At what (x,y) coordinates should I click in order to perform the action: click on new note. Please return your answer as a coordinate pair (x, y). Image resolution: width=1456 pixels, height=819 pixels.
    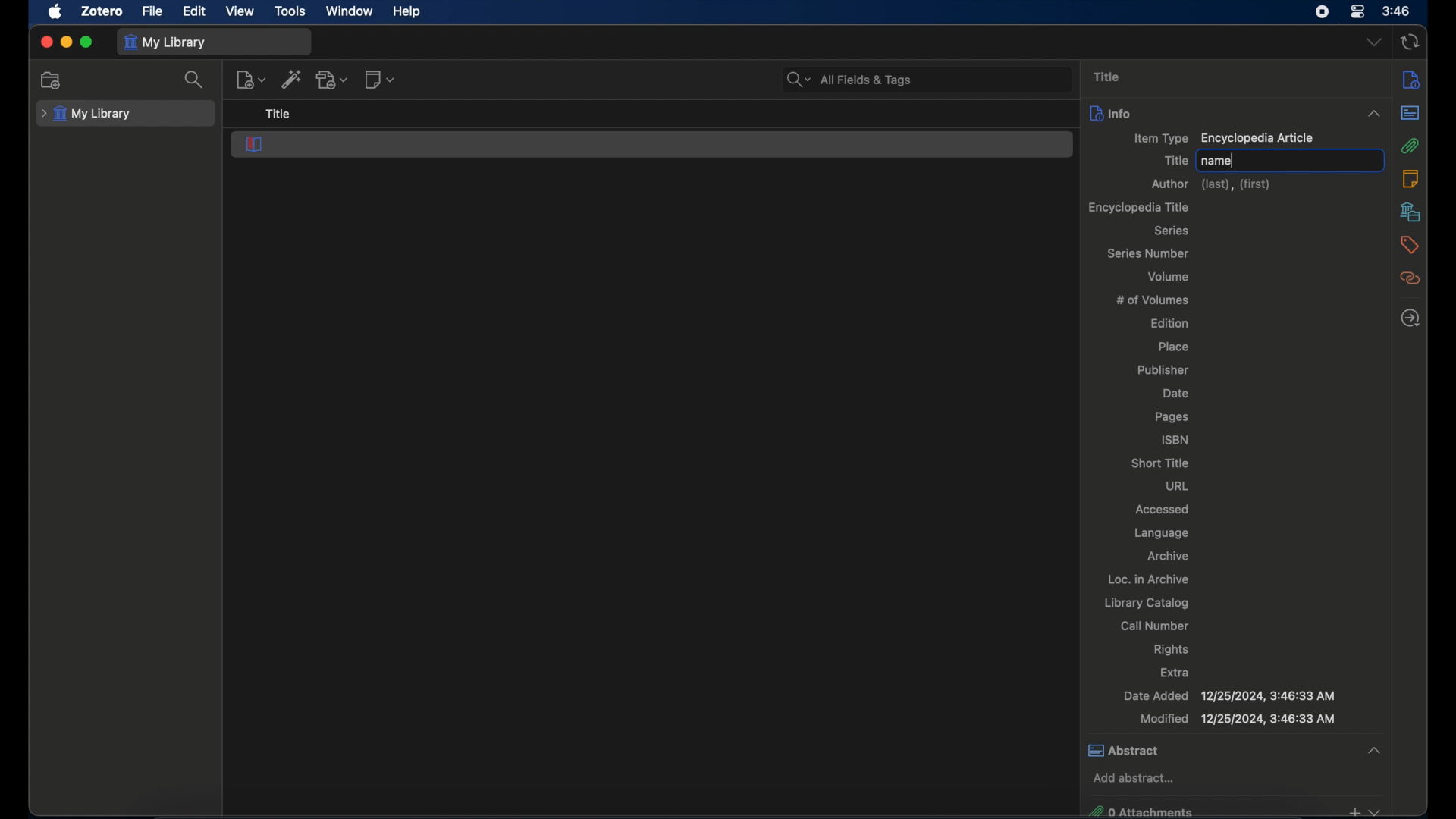
    Looking at the image, I should click on (379, 80).